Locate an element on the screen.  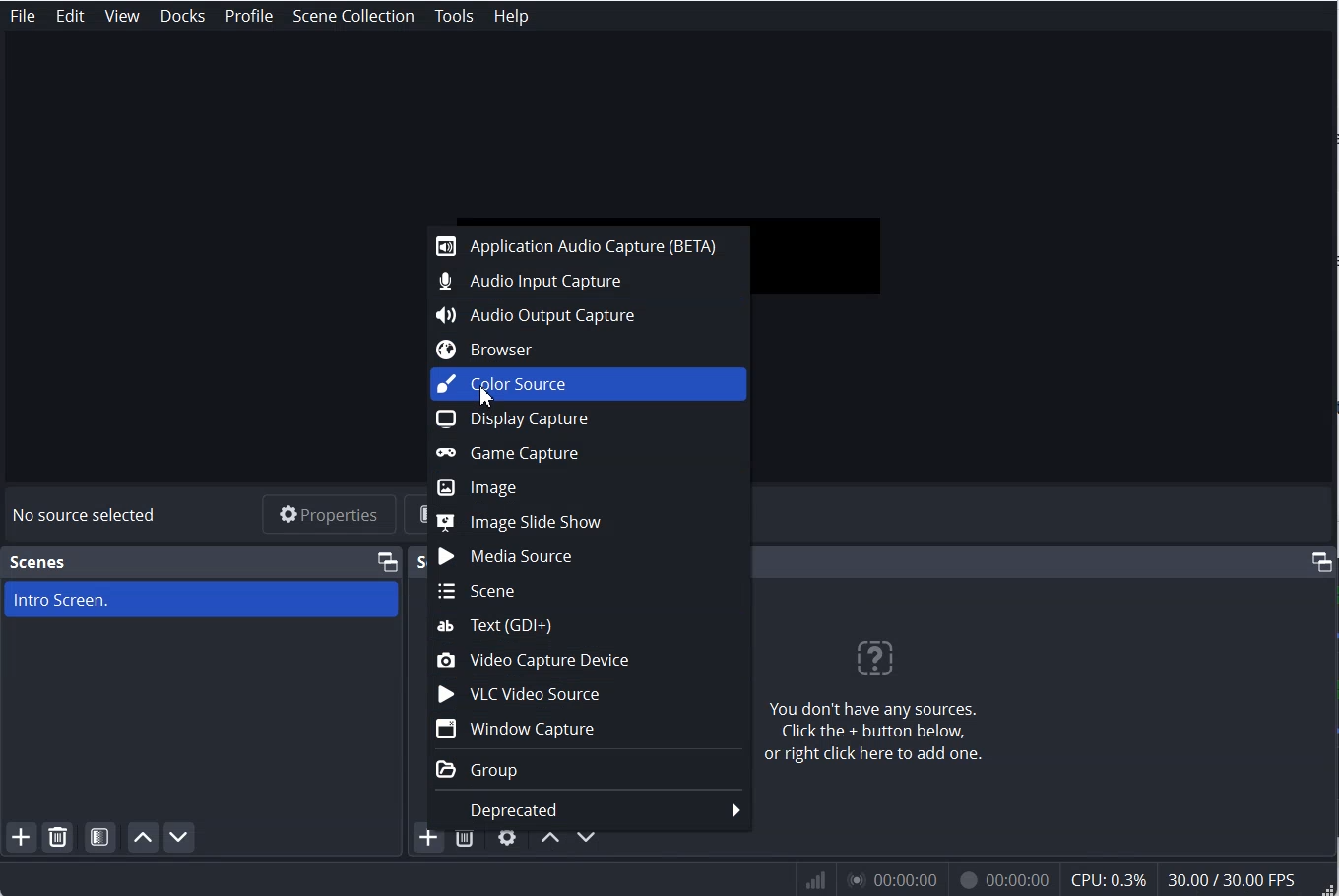
Move Scene Up is located at coordinates (143, 838).